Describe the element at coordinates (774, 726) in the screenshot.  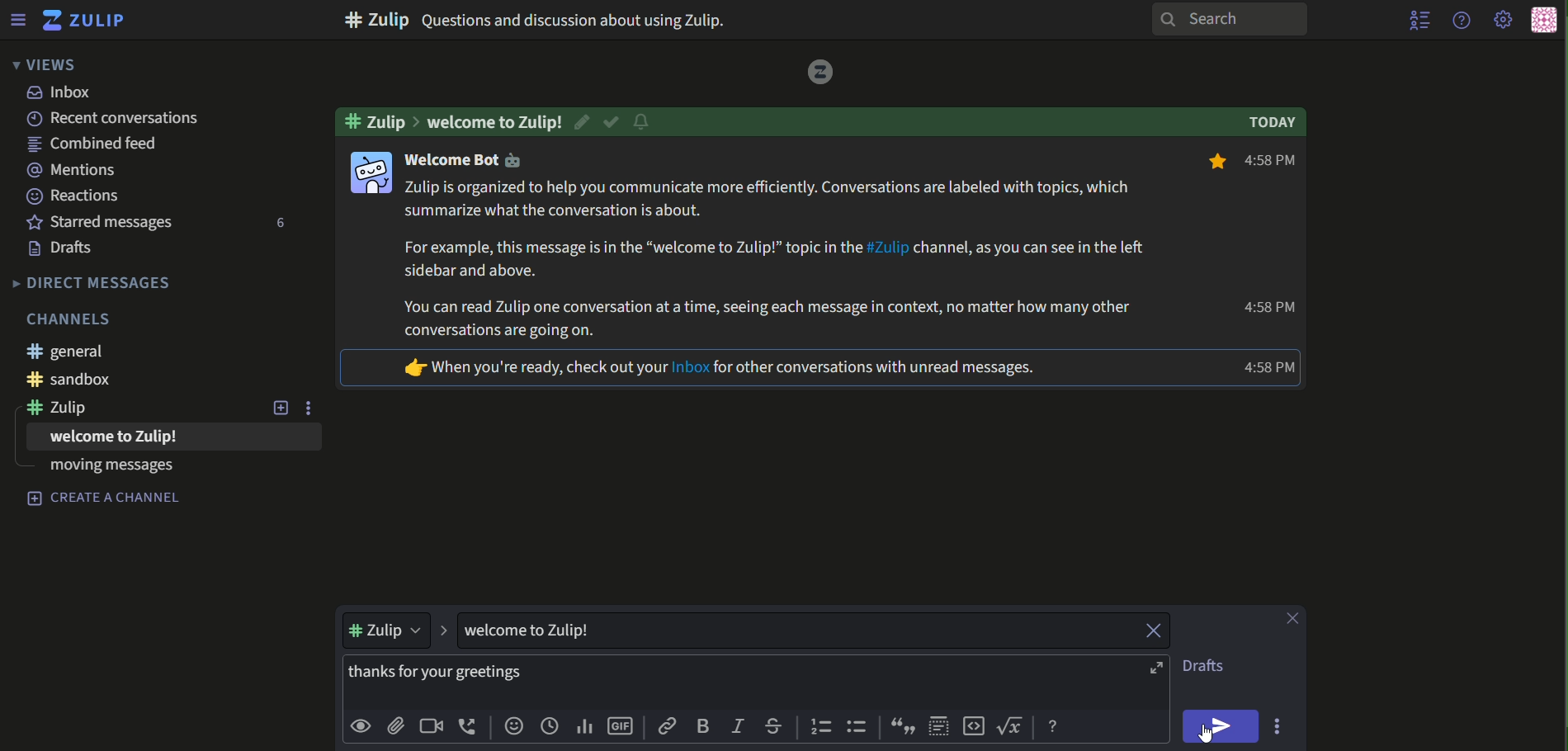
I see `strikethrough` at that location.